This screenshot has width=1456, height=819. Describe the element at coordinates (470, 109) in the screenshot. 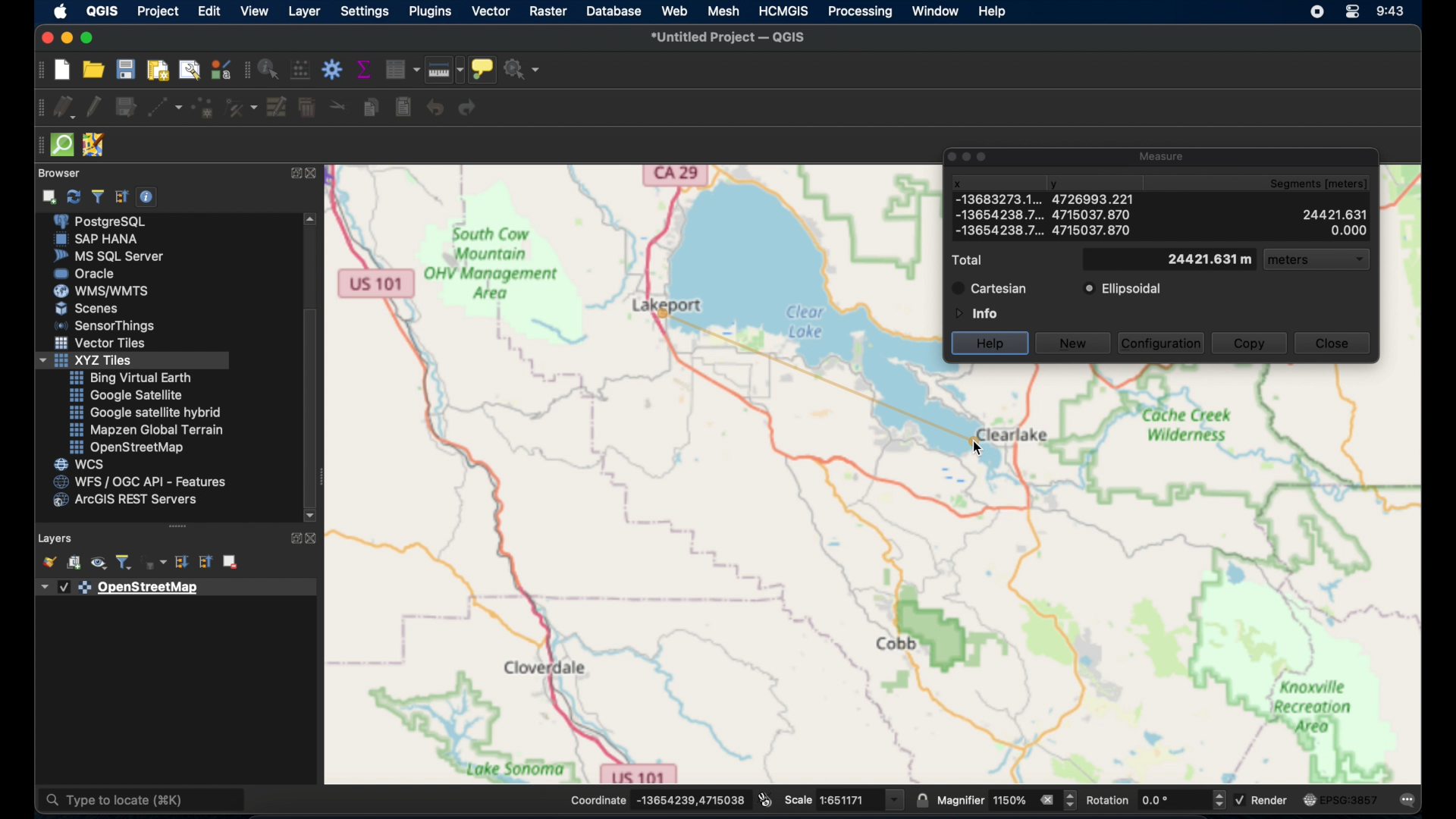

I see `redo` at that location.